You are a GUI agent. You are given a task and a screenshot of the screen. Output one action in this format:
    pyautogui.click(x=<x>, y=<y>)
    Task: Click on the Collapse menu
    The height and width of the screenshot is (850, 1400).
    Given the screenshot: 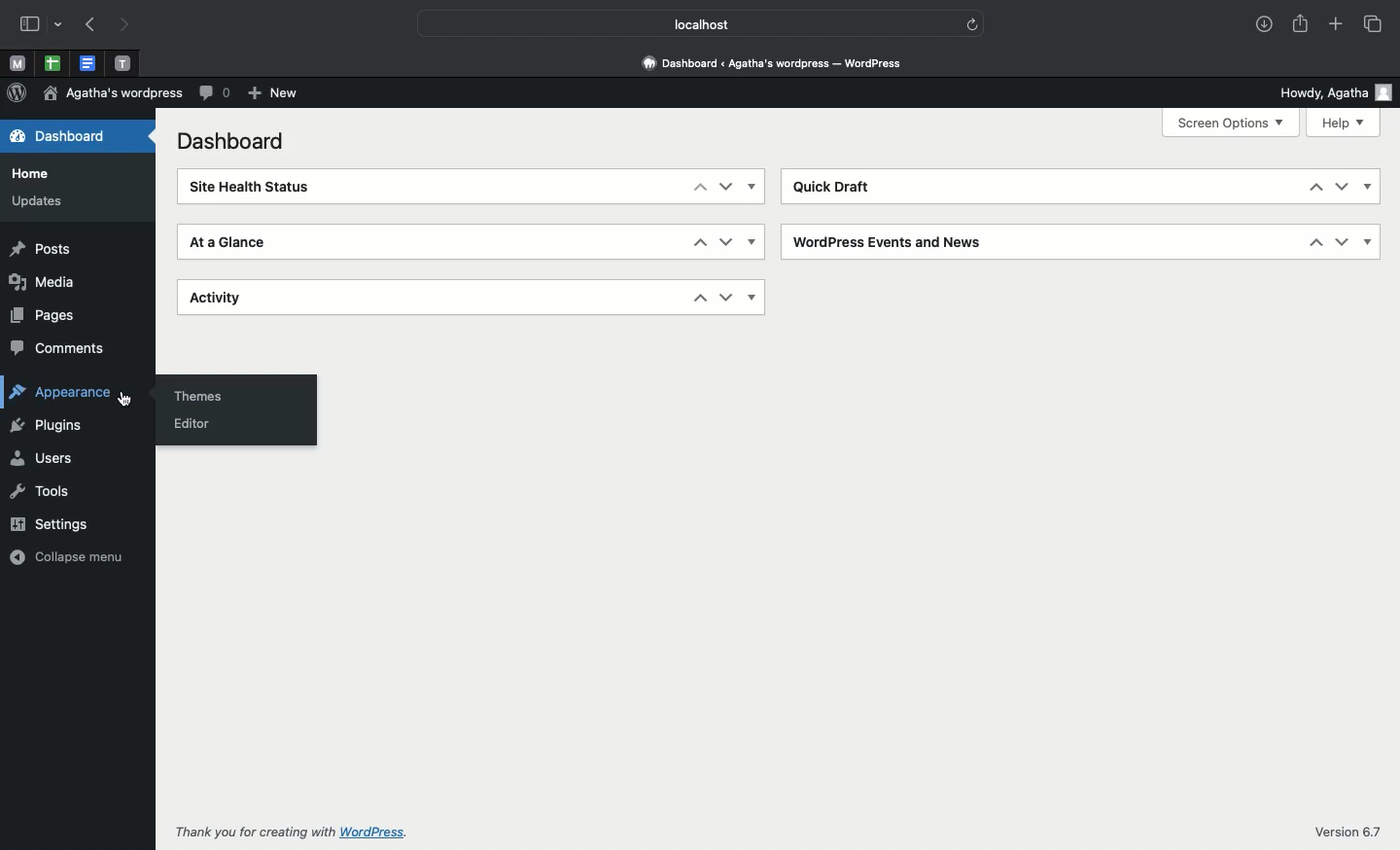 What is the action you would take?
    pyautogui.click(x=65, y=556)
    